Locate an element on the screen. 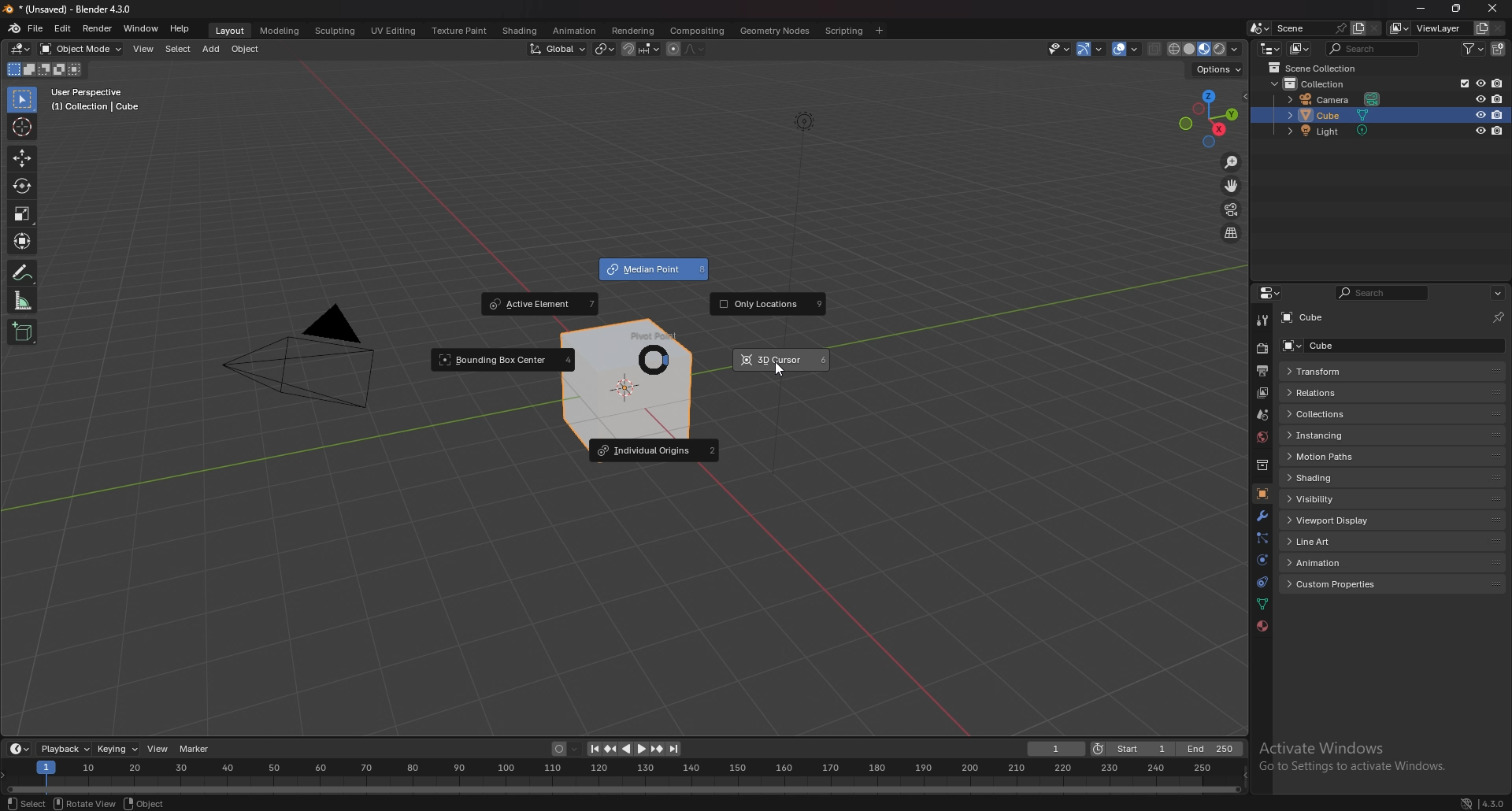  geometry nodes is located at coordinates (775, 30).